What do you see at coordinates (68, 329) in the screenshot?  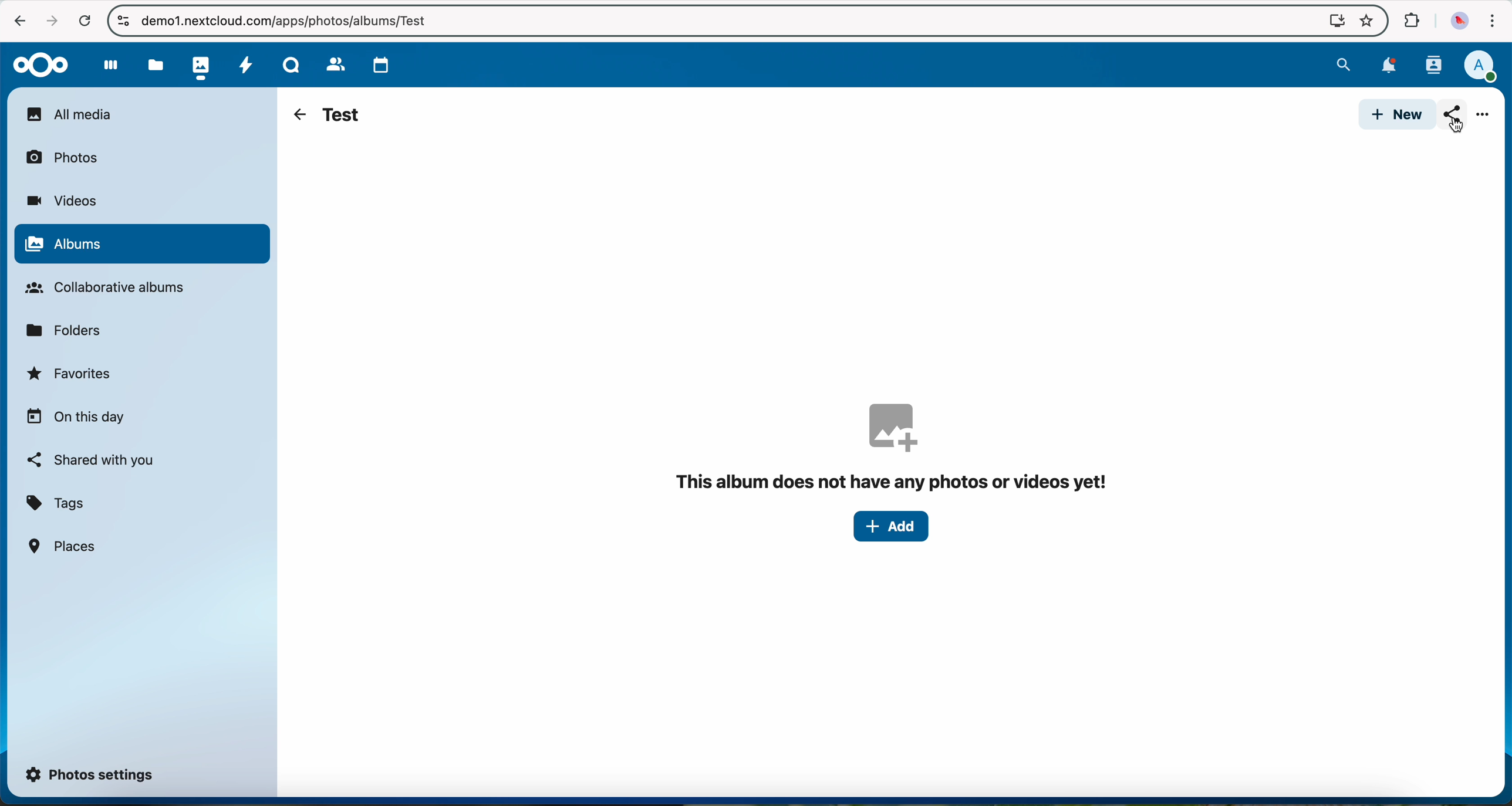 I see `folders` at bounding box center [68, 329].